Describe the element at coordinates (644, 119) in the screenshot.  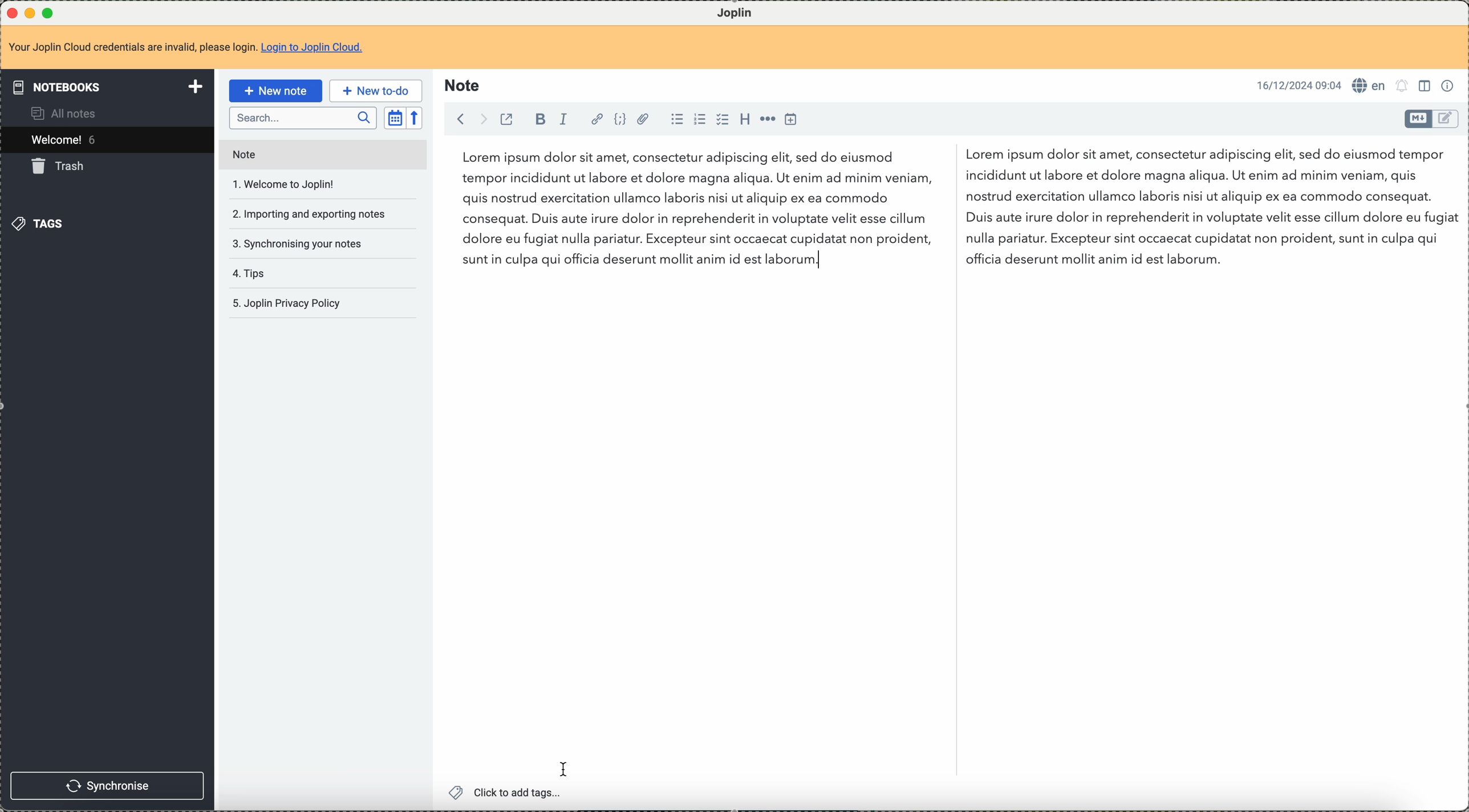
I see `attach file` at that location.